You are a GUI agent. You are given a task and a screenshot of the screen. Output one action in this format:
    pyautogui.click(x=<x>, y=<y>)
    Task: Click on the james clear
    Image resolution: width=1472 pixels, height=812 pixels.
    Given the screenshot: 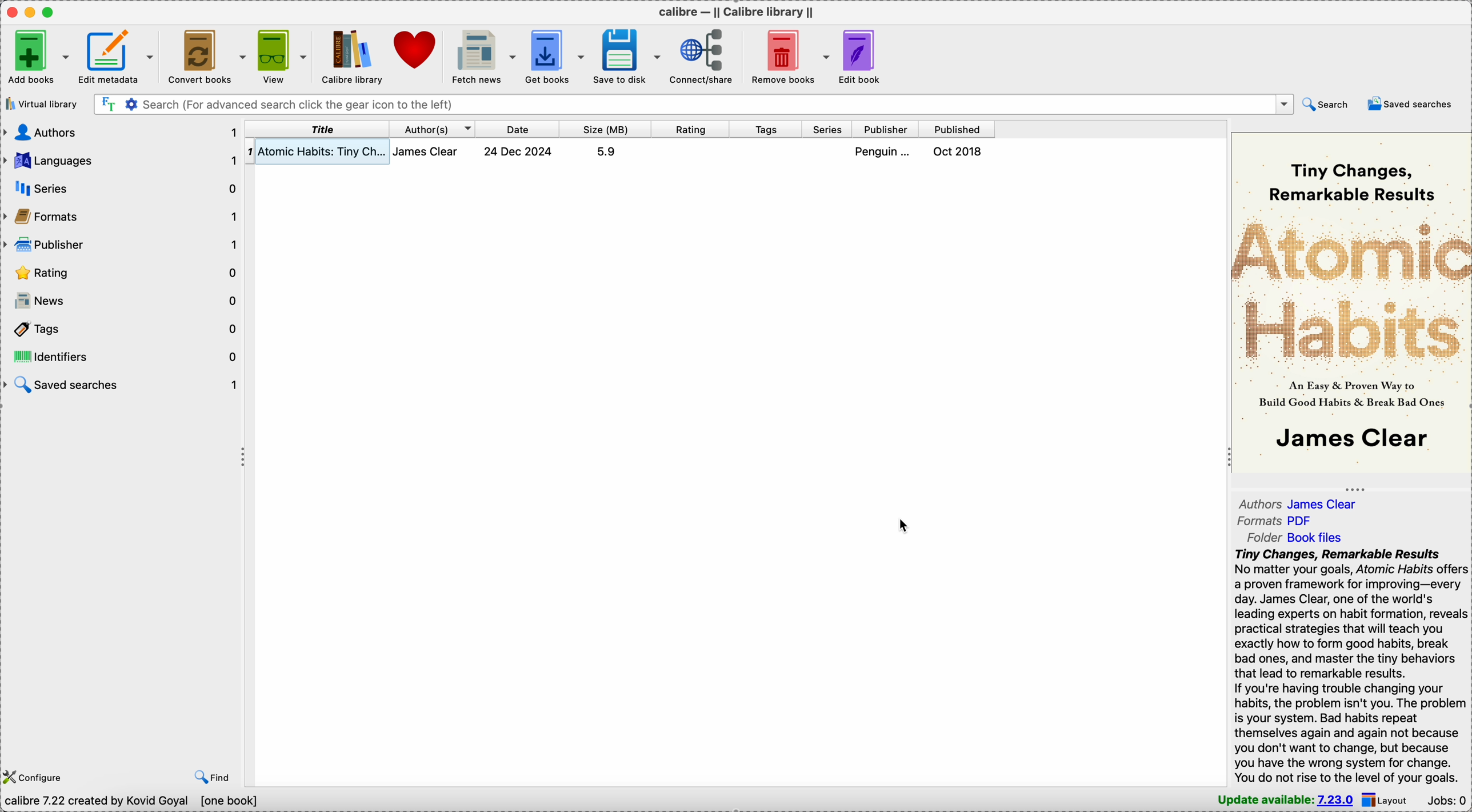 What is the action you would take?
    pyautogui.click(x=432, y=151)
    